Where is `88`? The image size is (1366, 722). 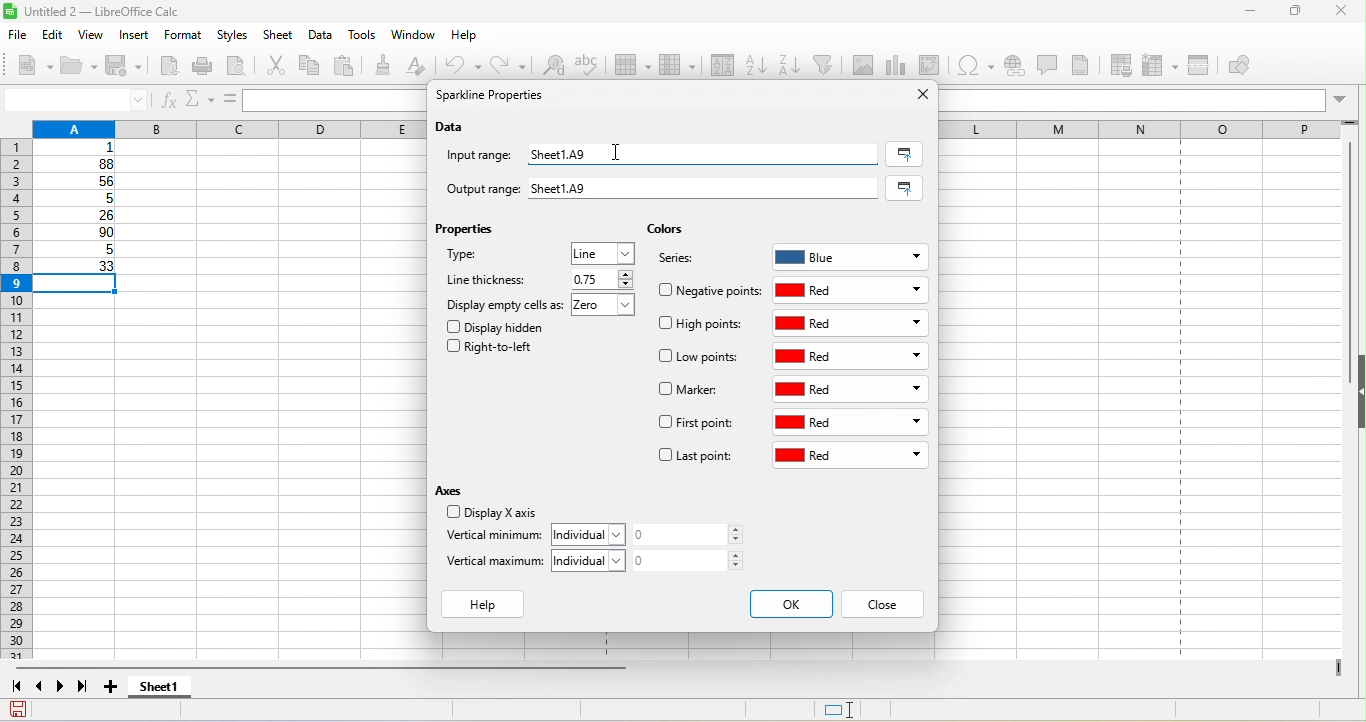 88 is located at coordinates (77, 164).